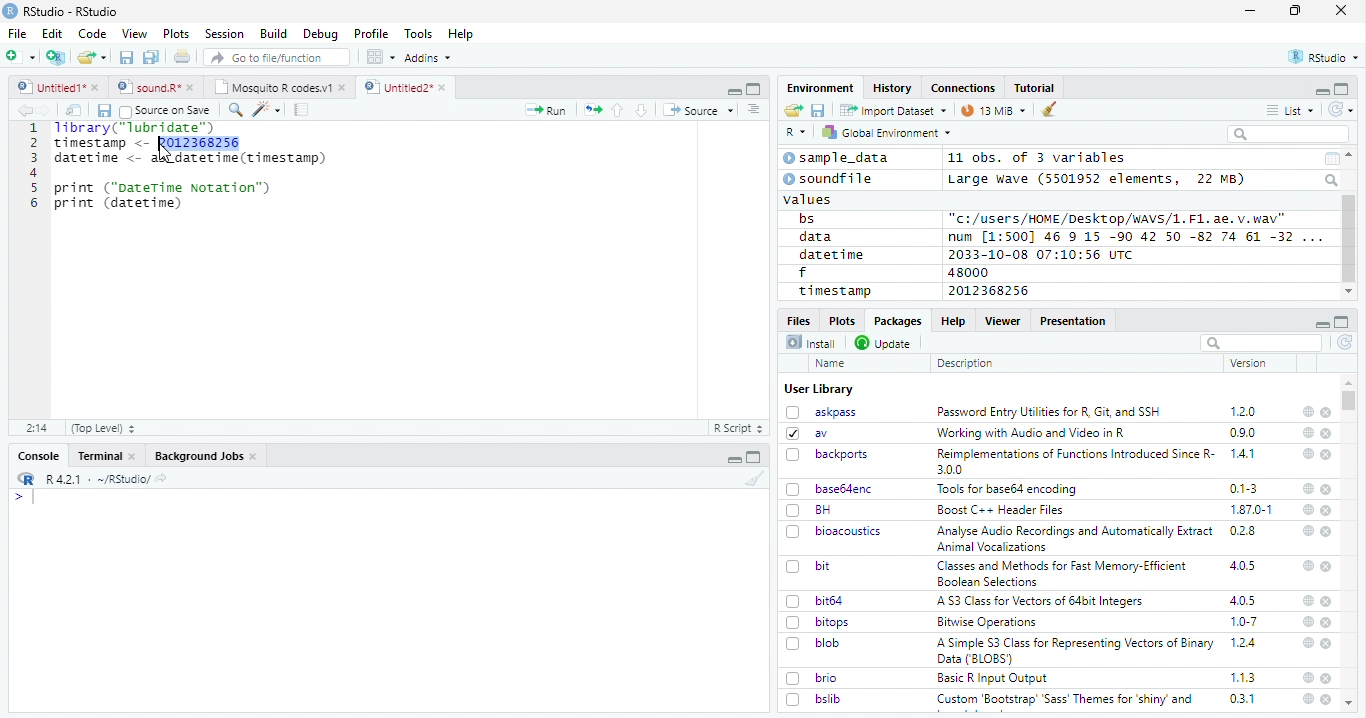 The width and height of the screenshot is (1366, 718). I want to click on 4.0.5, so click(1243, 600).